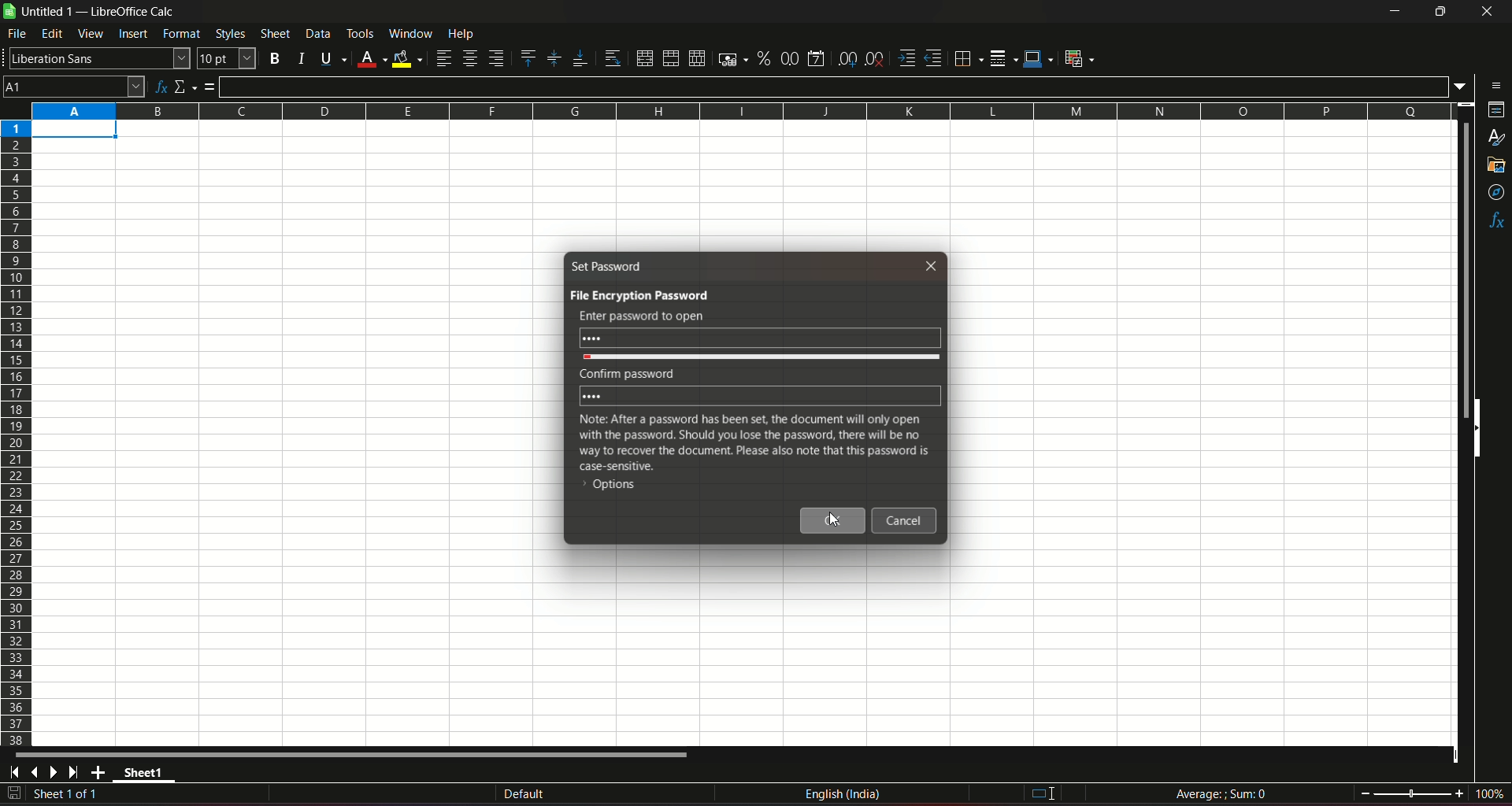  Describe the element at coordinates (98, 59) in the screenshot. I see `font styles` at that location.